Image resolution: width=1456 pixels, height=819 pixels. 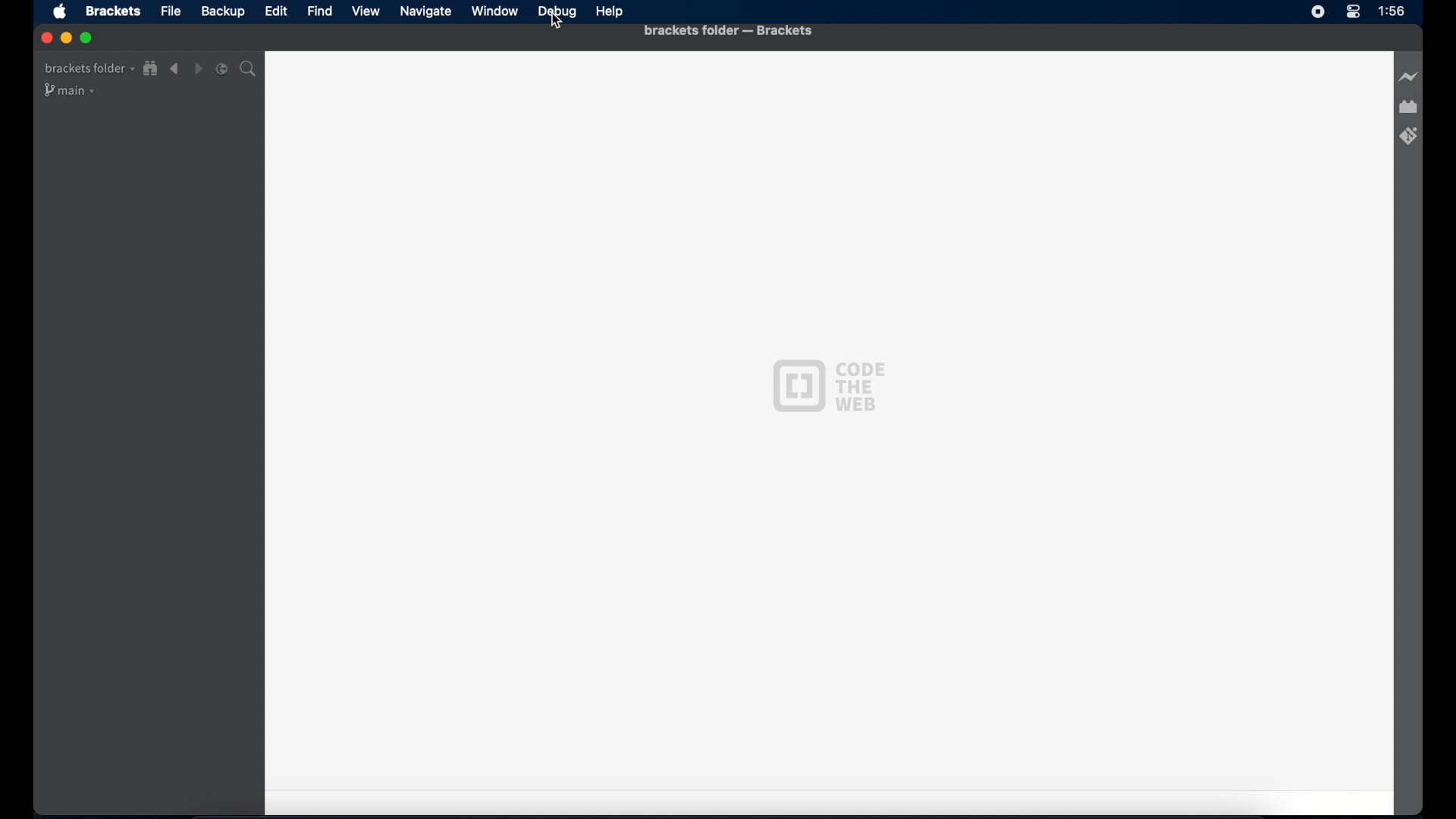 What do you see at coordinates (729, 31) in the screenshot?
I see `brackets folder  - brackets` at bounding box center [729, 31].